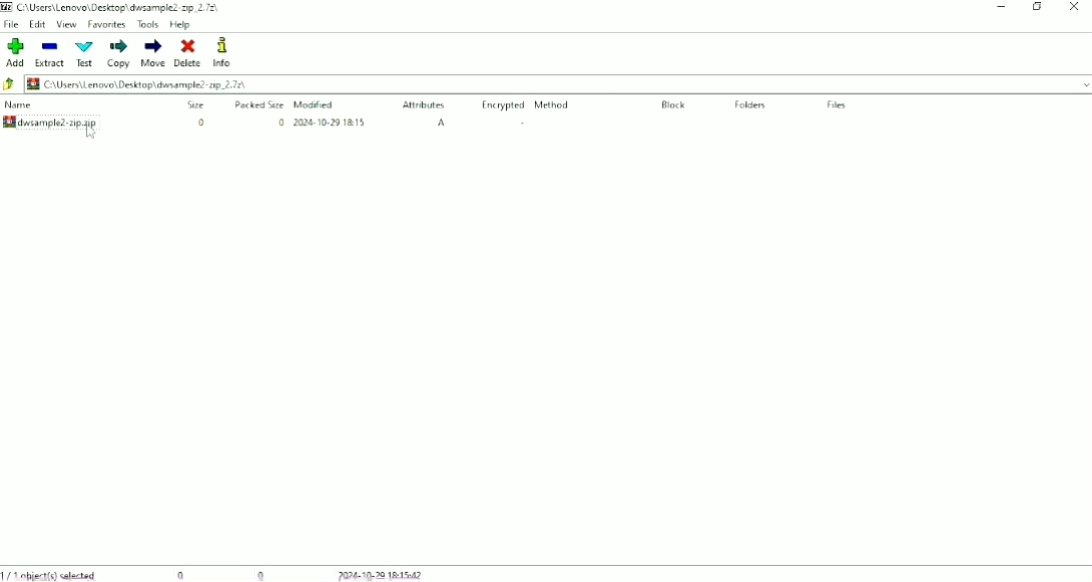 This screenshot has height=582, width=1092. What do you see at coordinates (317, 104) in the screenshot?
I see `Modified` at bounding box center [317, 104].